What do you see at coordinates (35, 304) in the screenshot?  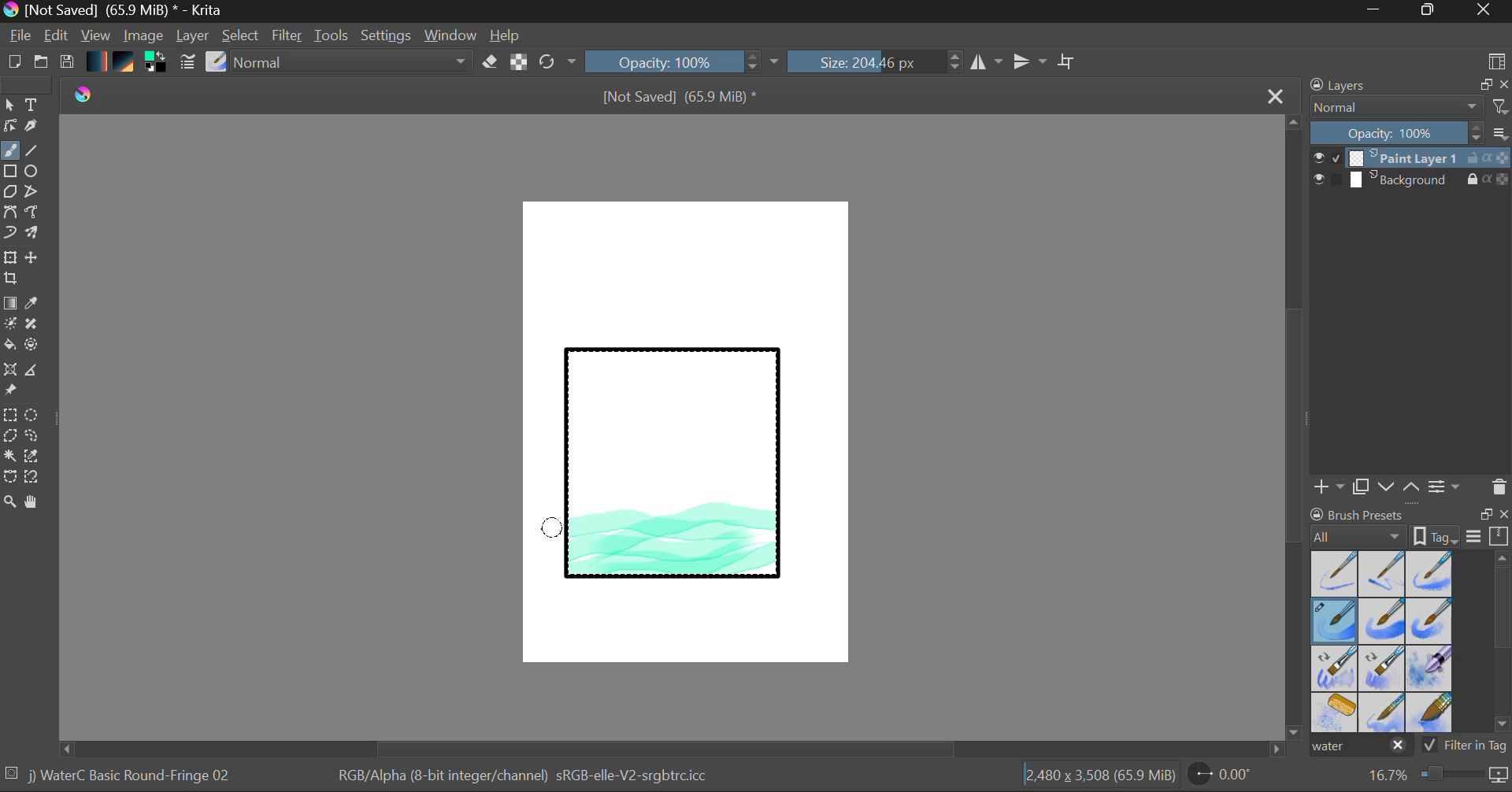 I see `Eyedropper` at bounding box center [35, 304].